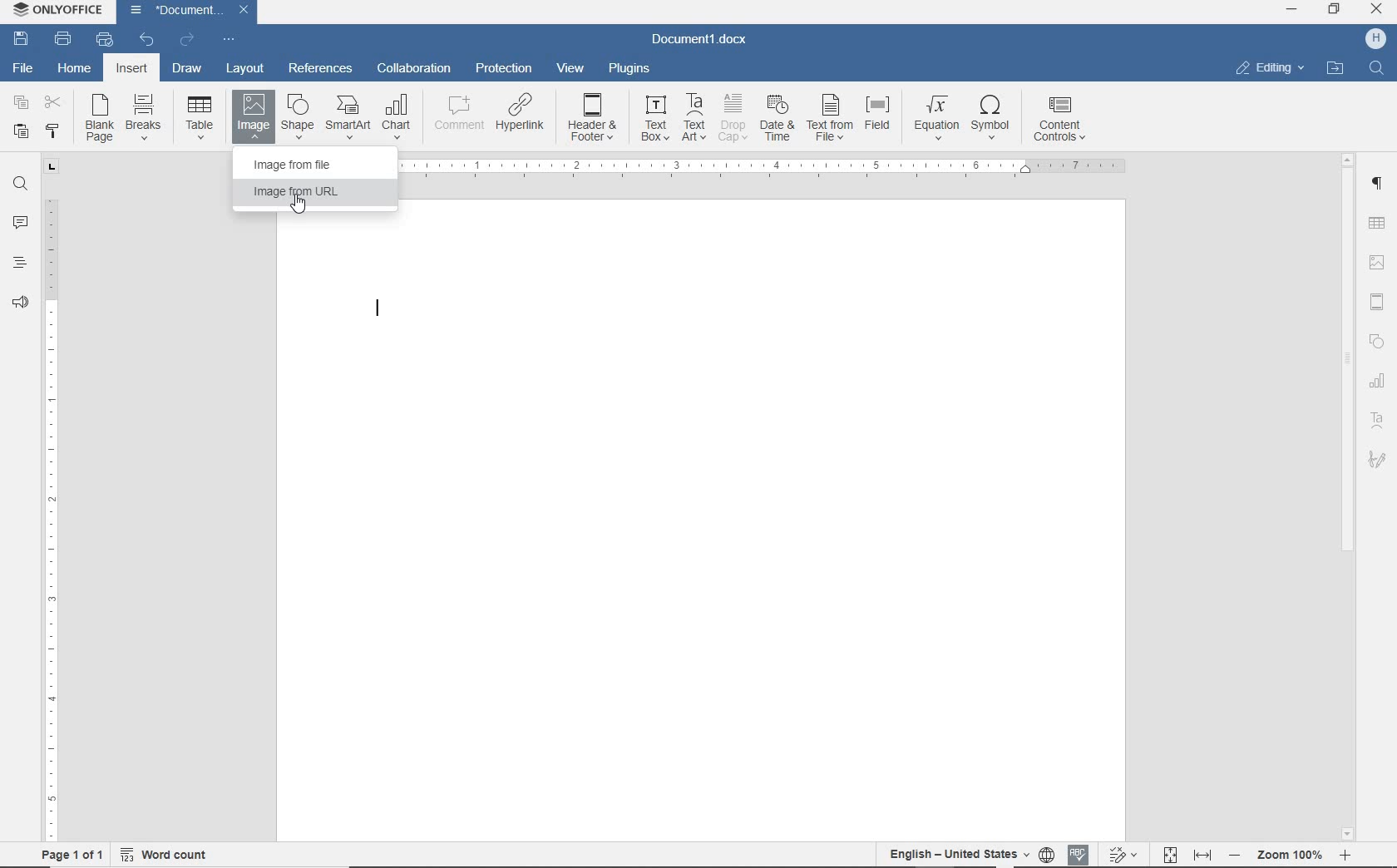 The width and height of the screenshot is (1397, 868). What do you see at coordinates (347, 118) in the screenshot?
I see `SmartArt` at bounding box center [347, 118].